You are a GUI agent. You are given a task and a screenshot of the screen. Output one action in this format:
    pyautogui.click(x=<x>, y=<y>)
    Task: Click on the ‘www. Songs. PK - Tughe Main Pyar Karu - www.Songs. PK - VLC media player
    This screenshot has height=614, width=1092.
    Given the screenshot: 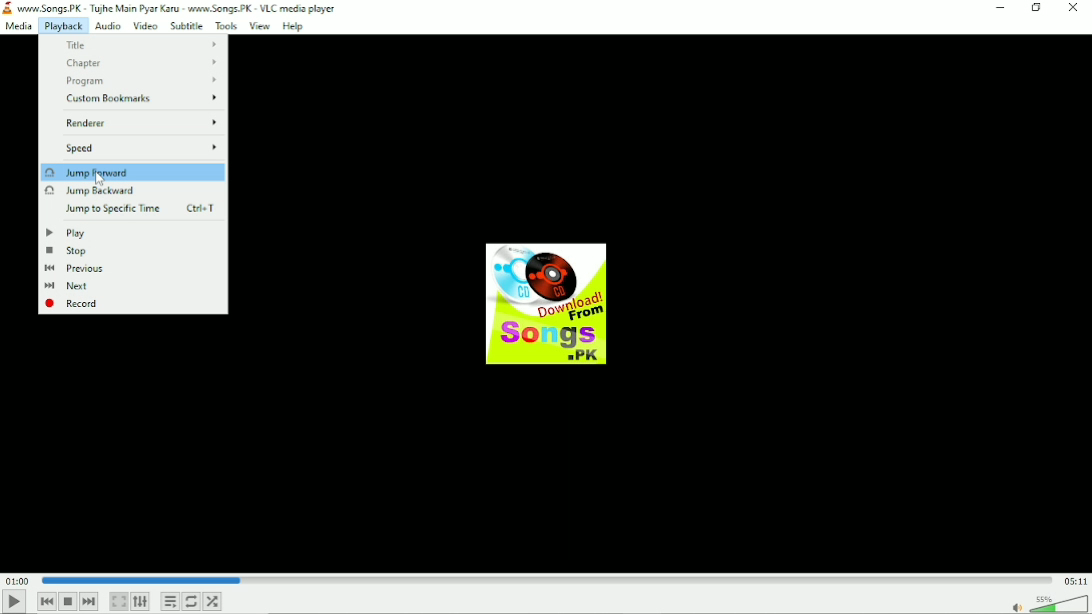 What is the action you would take?
    pyautogui.click(x=179, y=9)
    